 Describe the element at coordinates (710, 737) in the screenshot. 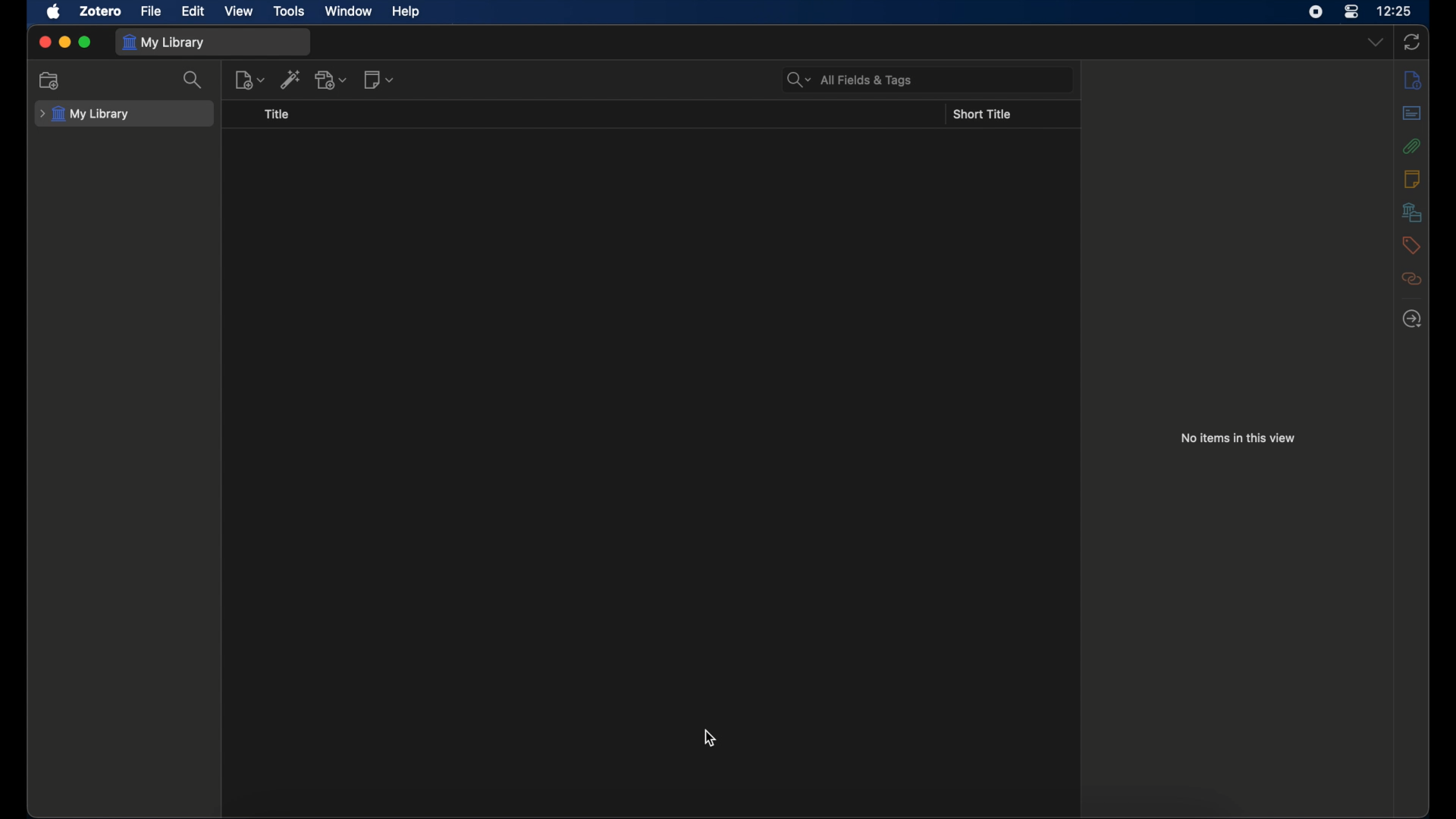

I see `cursor` at that location.